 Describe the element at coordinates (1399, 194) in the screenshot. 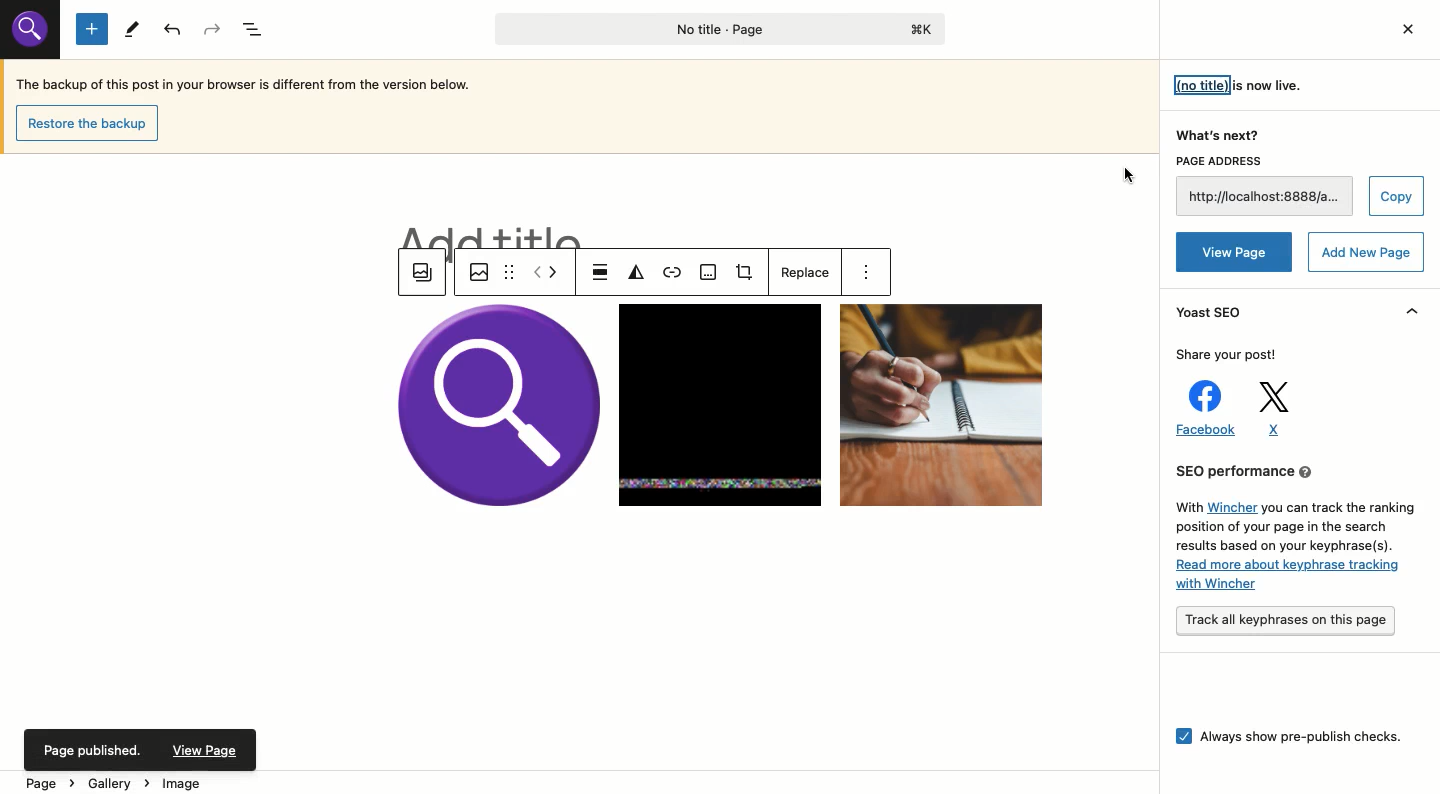

I see `Copy` at that location.